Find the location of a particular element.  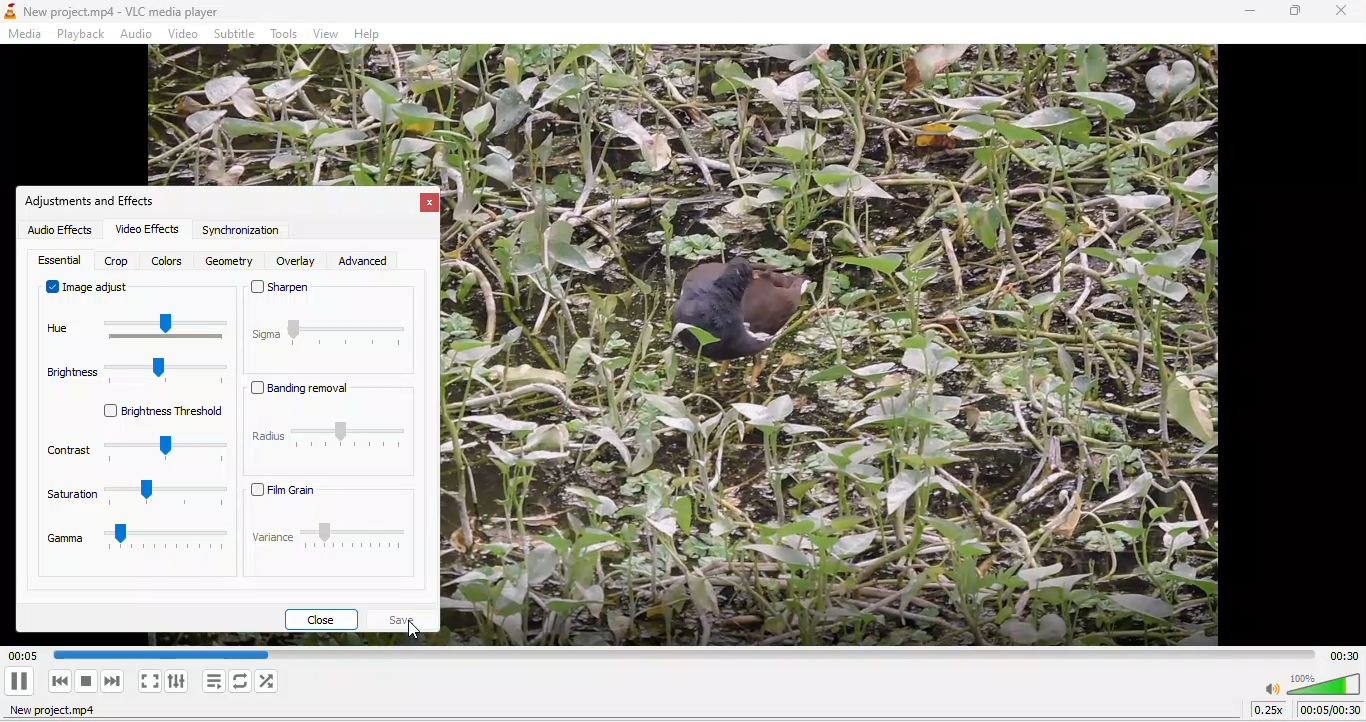

video effects is located at coordinates (146, 231).